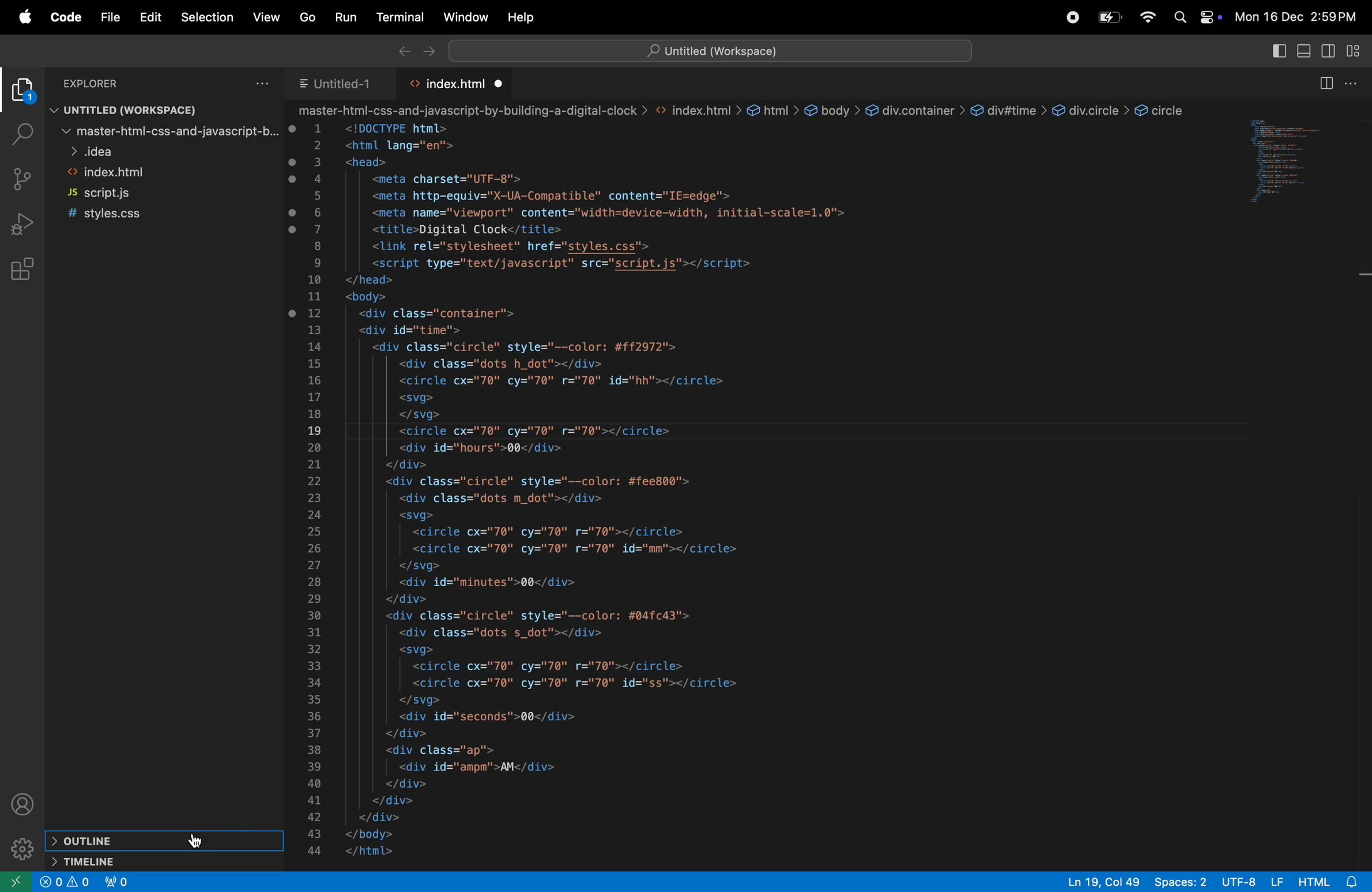 This screenshot has height=892, width=1372. I want to click on apple widgets, so click(1208, 20).